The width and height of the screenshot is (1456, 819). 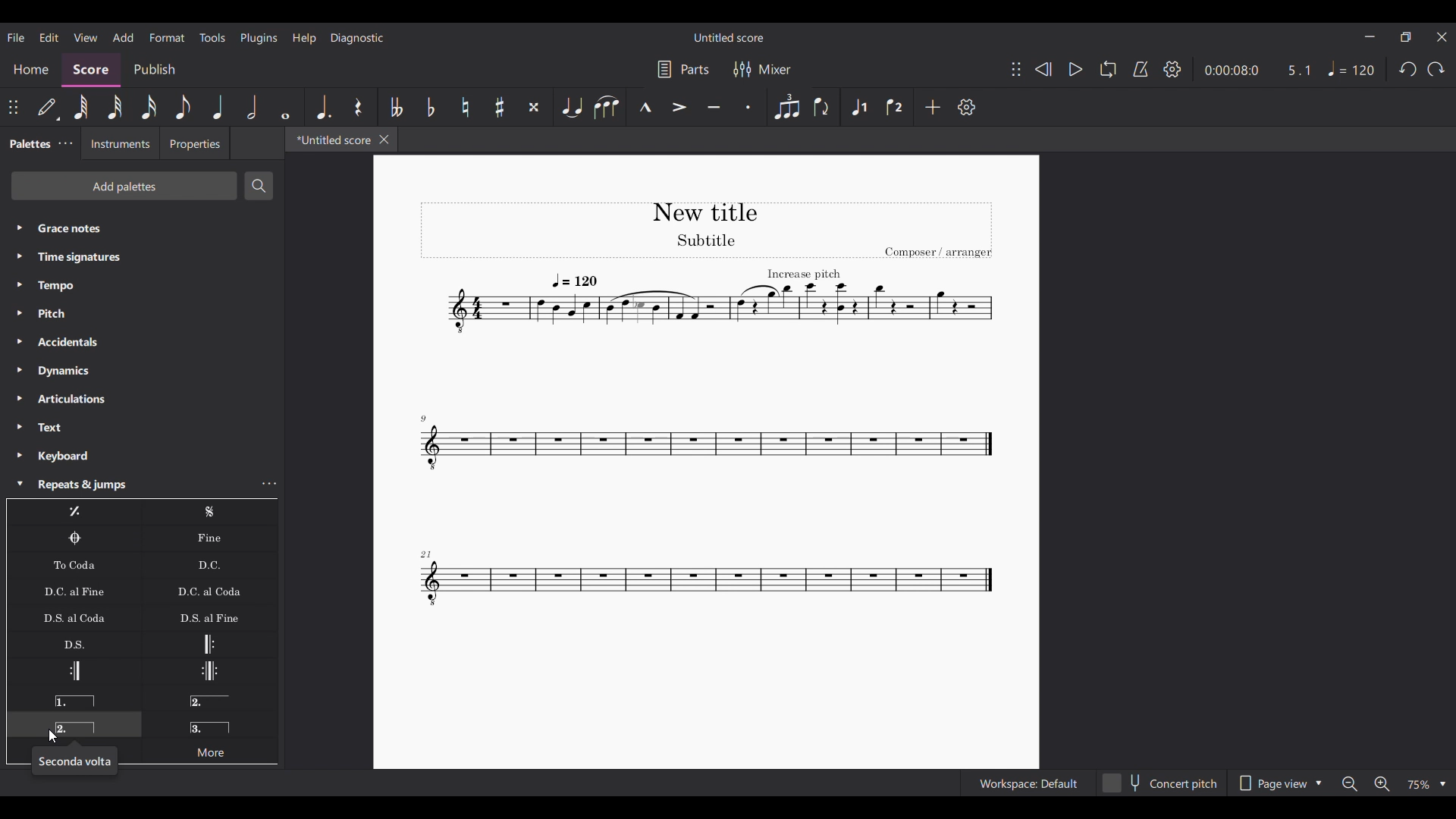 I want to click on More, so click(x=209, y=750).